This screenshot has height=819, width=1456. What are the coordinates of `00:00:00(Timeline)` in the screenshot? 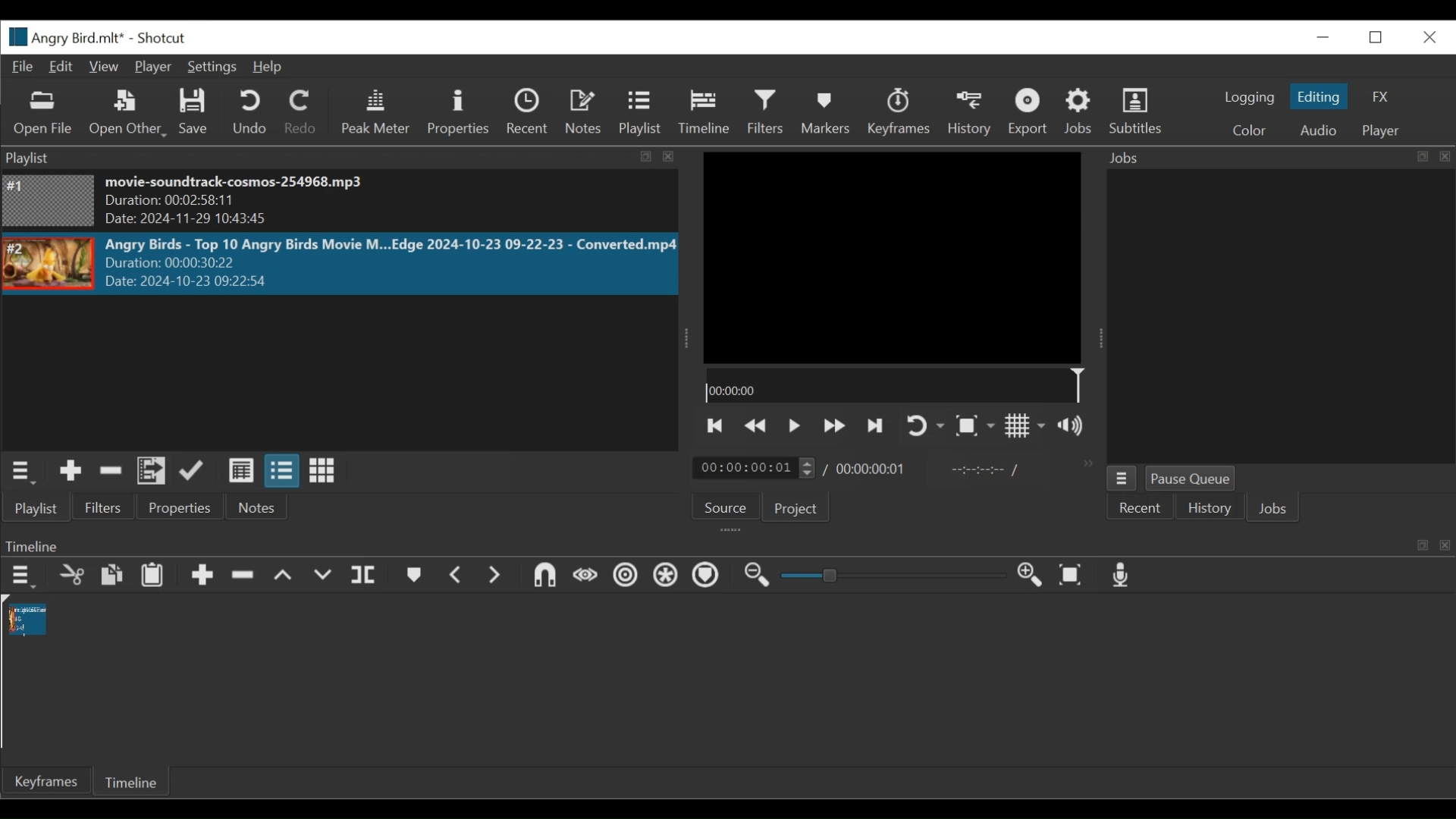 It's located at (893, 387).